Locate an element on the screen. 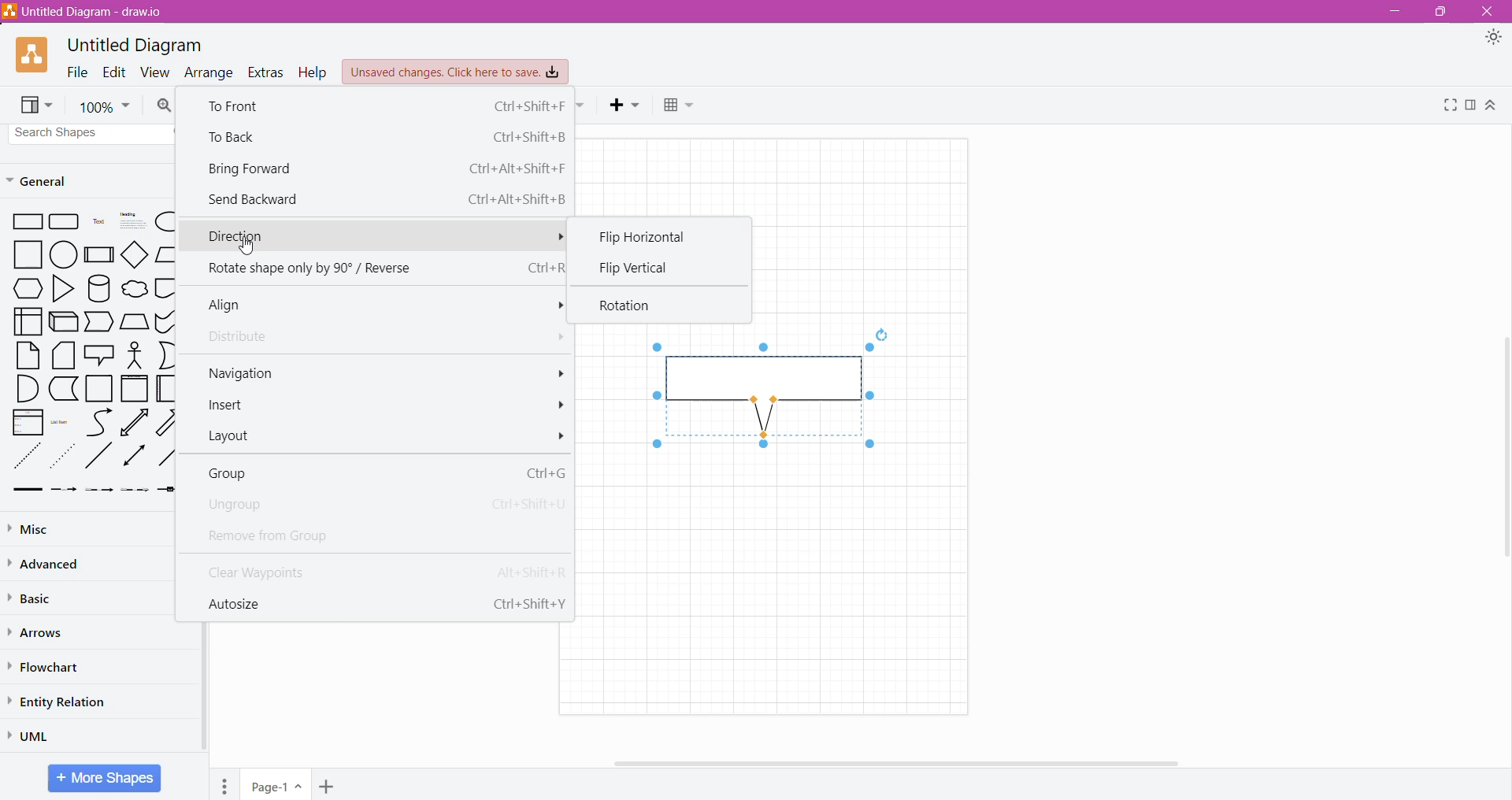 The width and height of the screenshot is (1512, 800). Minimize is located at coordinates (1392, 12).